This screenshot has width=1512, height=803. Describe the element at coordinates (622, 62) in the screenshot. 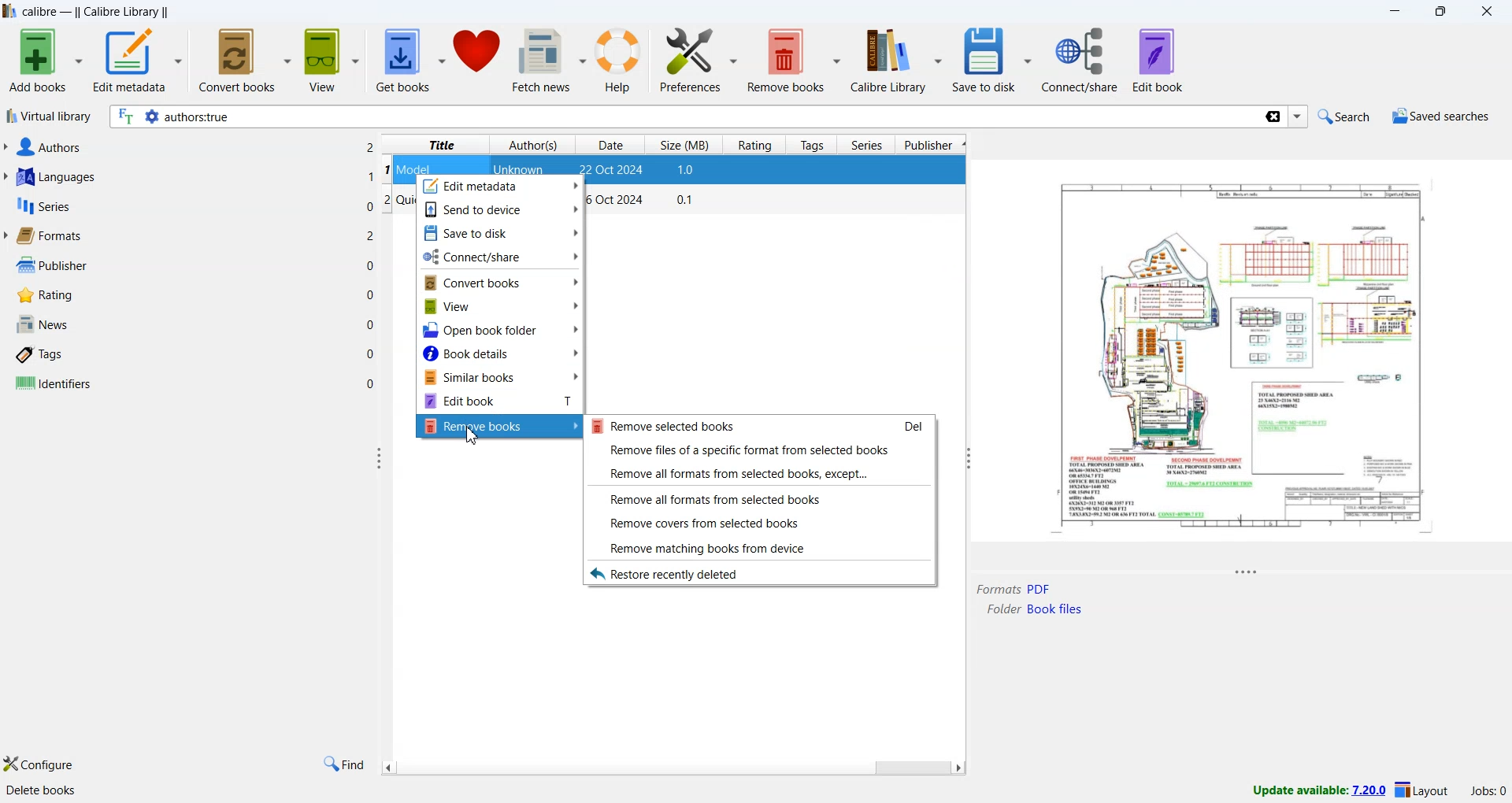

I see `help` at that location.